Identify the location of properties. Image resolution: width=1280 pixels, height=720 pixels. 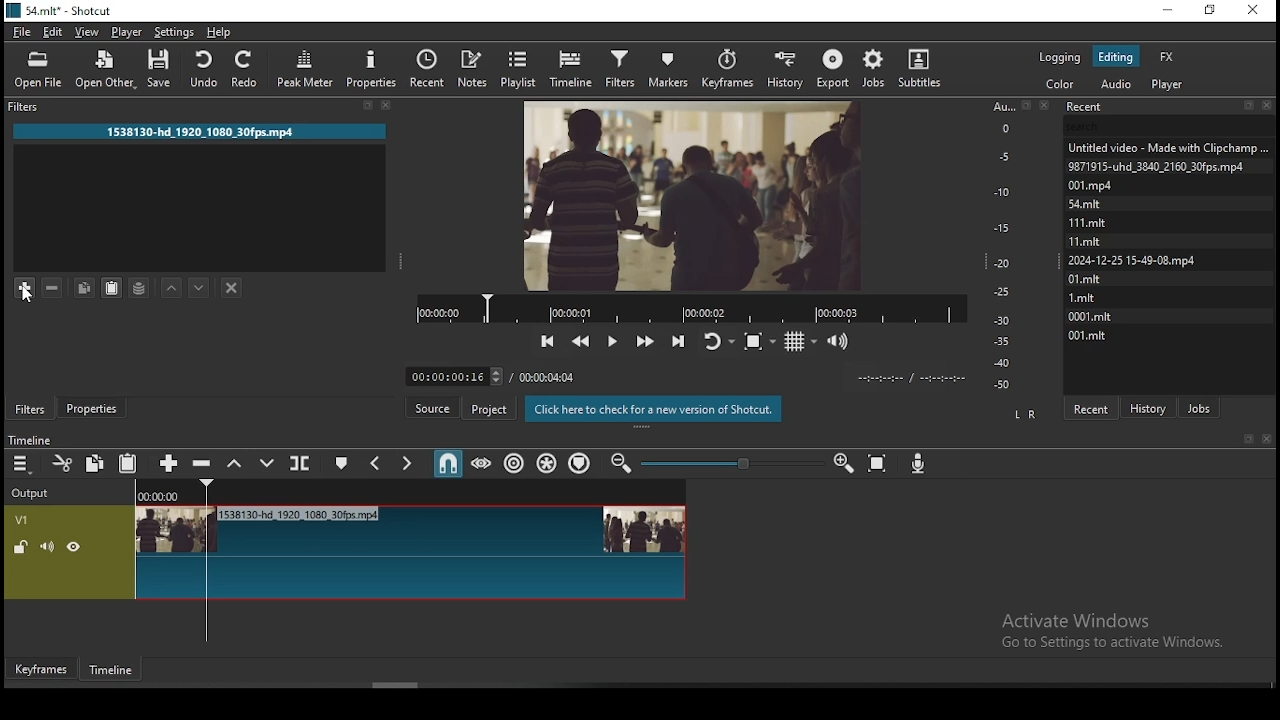
(372, 69).